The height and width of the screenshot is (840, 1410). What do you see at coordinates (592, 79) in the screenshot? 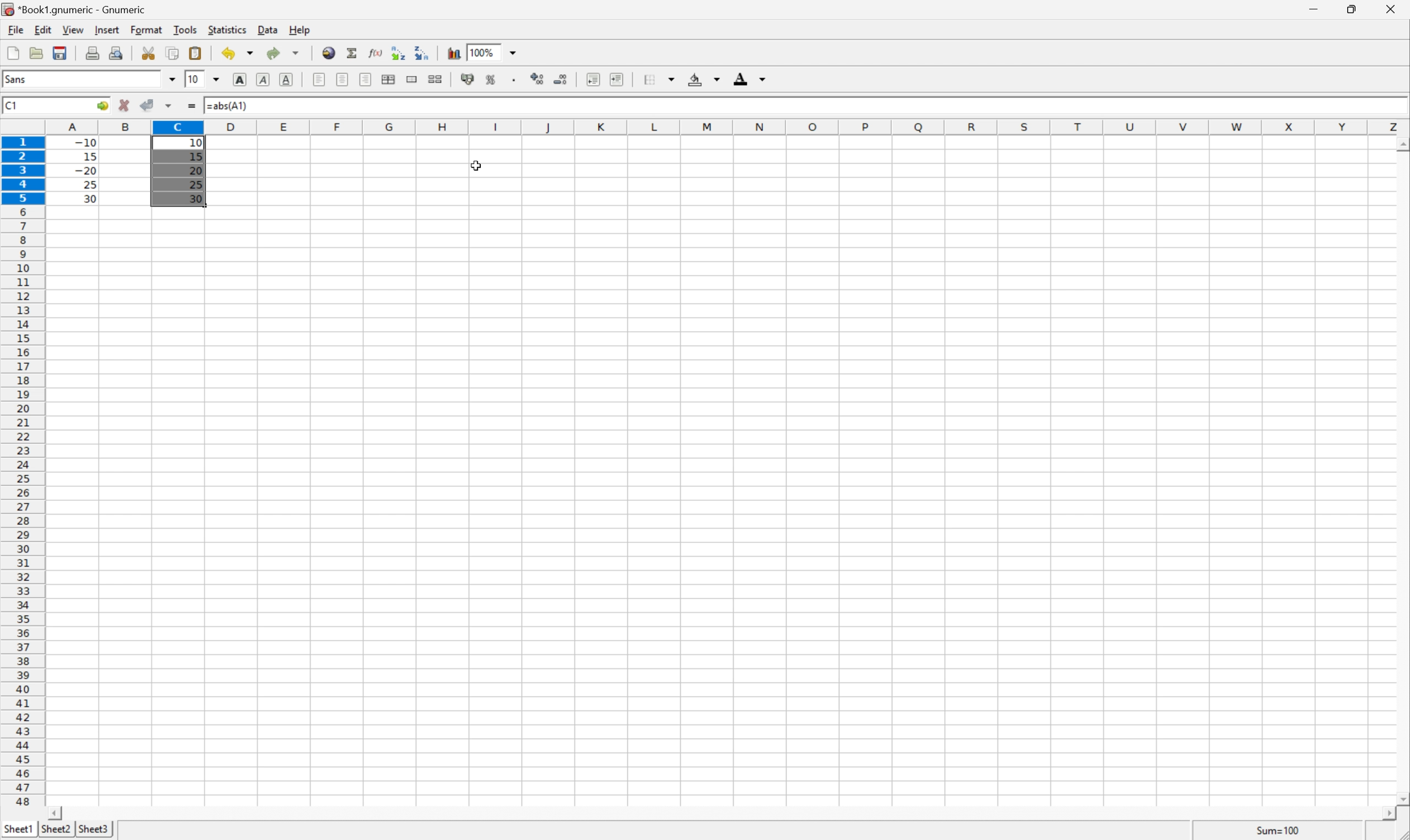
I see `decrease Indent, and align the content to the left` at bounding box center [592, 79].